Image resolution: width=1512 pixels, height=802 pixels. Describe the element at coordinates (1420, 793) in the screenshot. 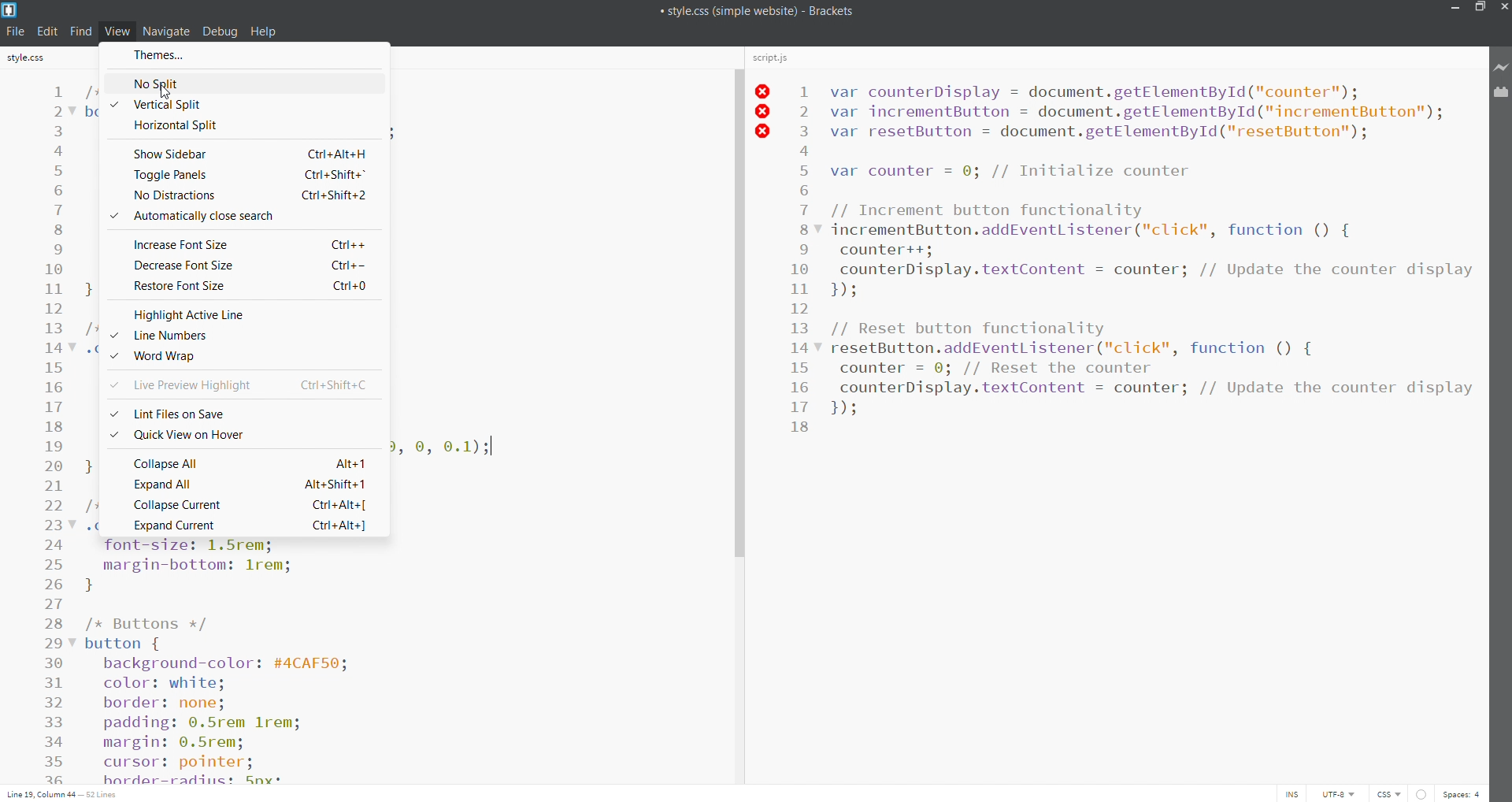

I see `error` at that location.